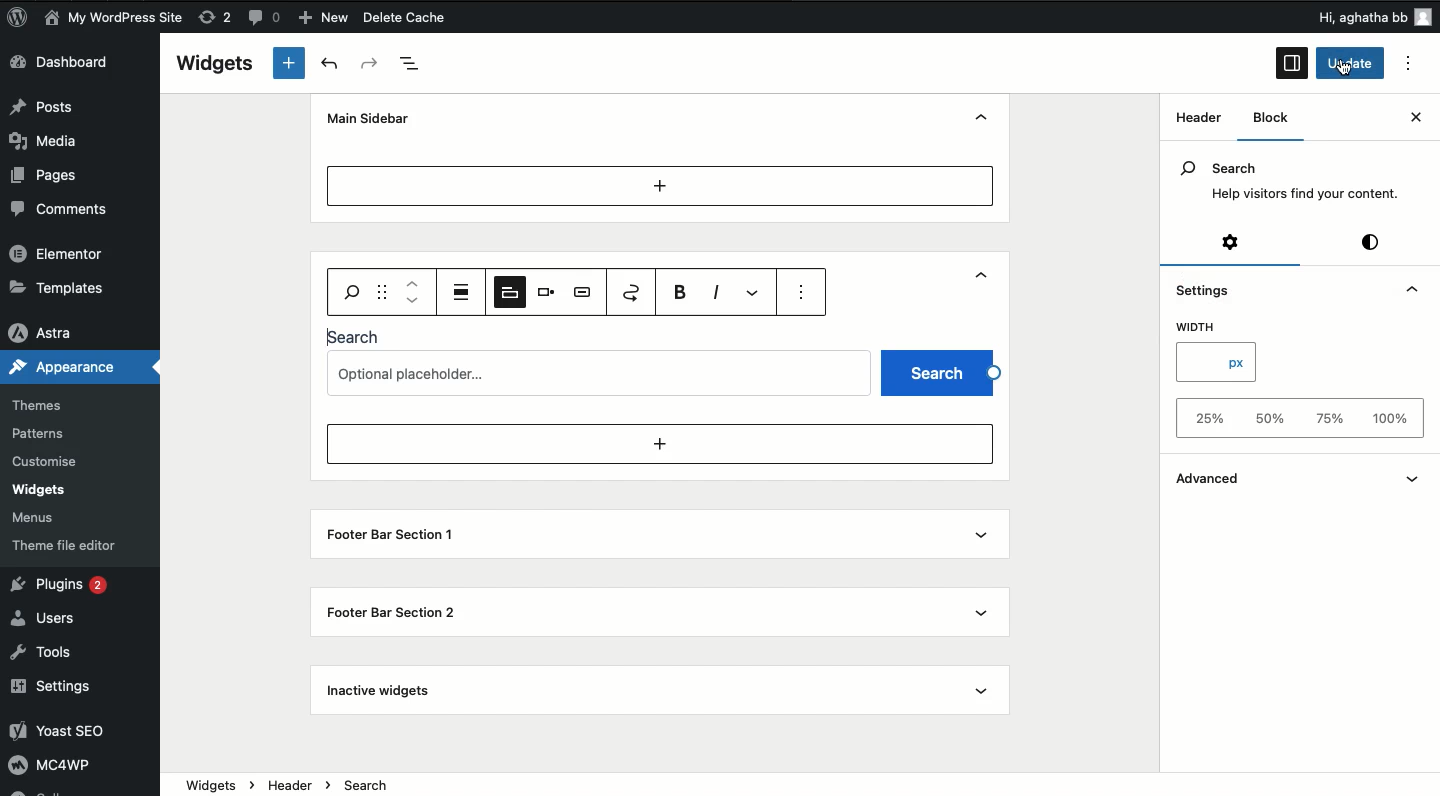  What do you see at coordinates (44, 515) in the screenshot?
I see `Menus` at bounding box center [44, 515].